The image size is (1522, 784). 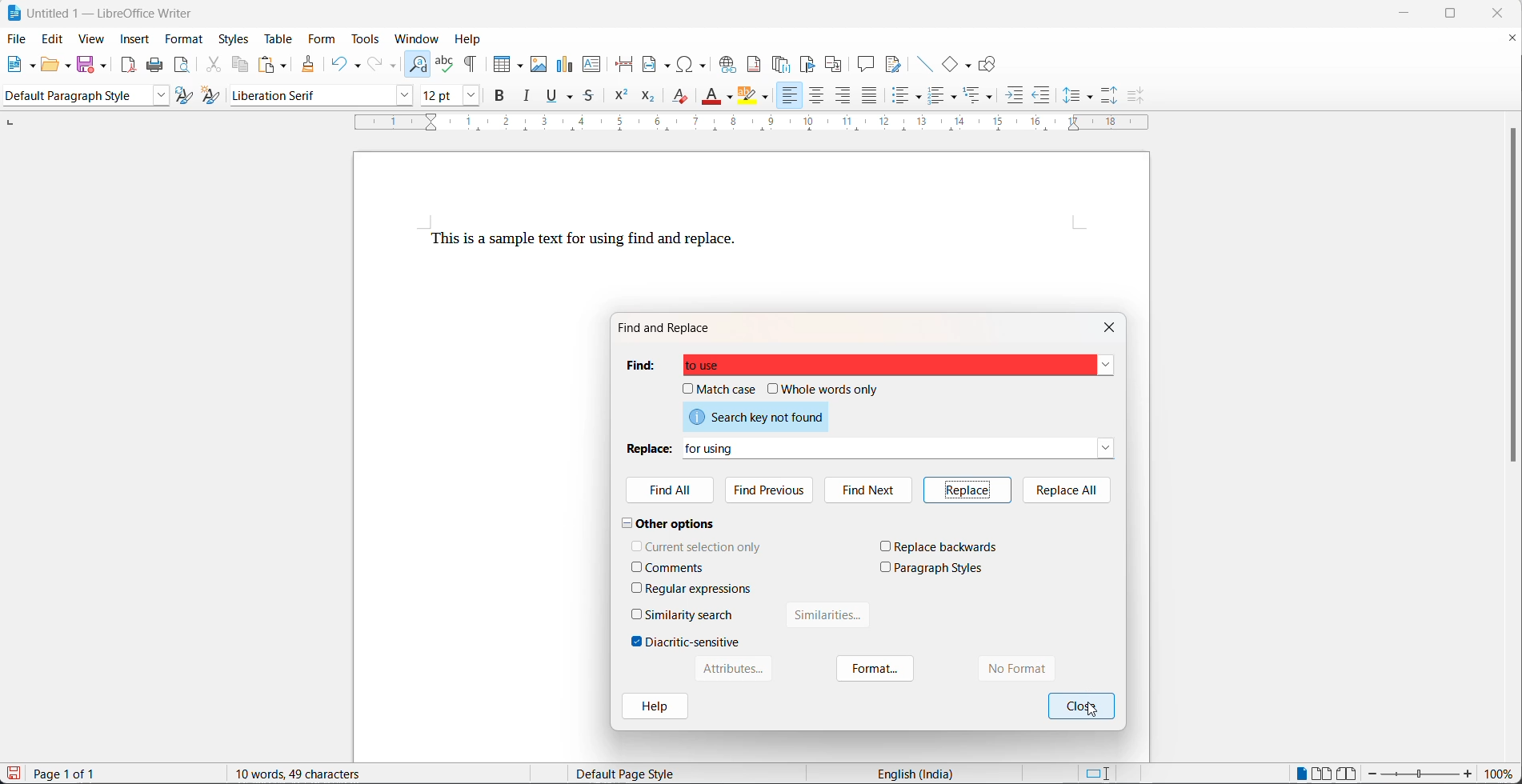 What do you see at coordinates (306, 96) in the screenshot?
I see `font name` at bounding box center [306, 96].